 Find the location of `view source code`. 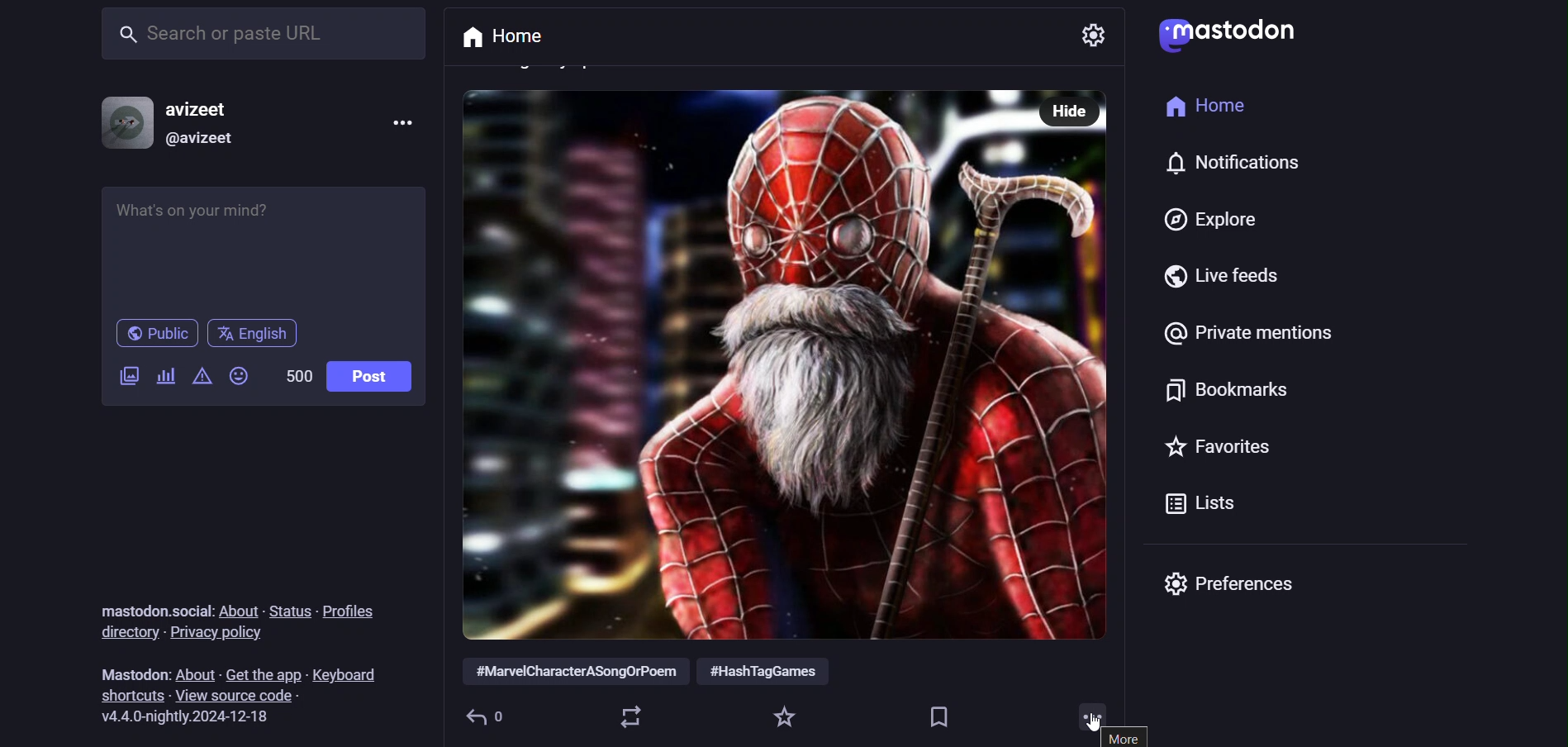

view source code is located at coordinates (241, 695).